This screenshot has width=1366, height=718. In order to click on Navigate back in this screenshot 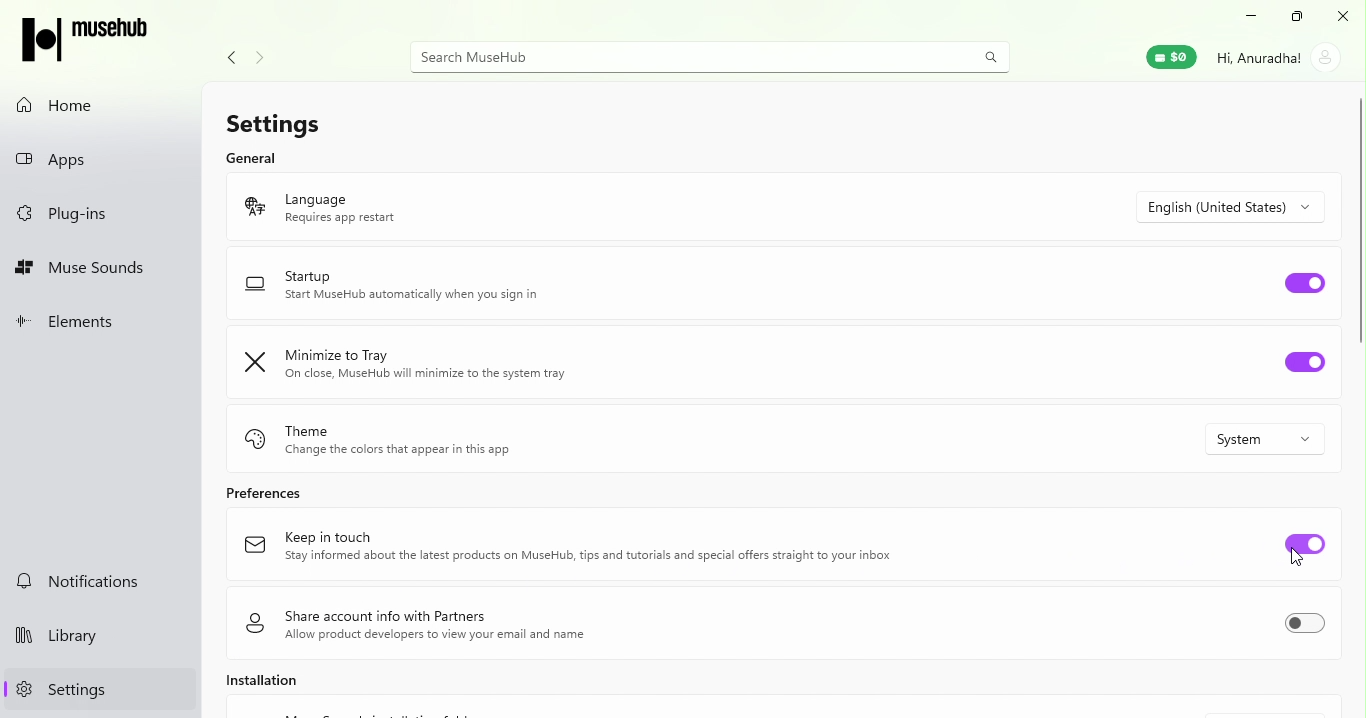, I will do `click(234, 57)`.